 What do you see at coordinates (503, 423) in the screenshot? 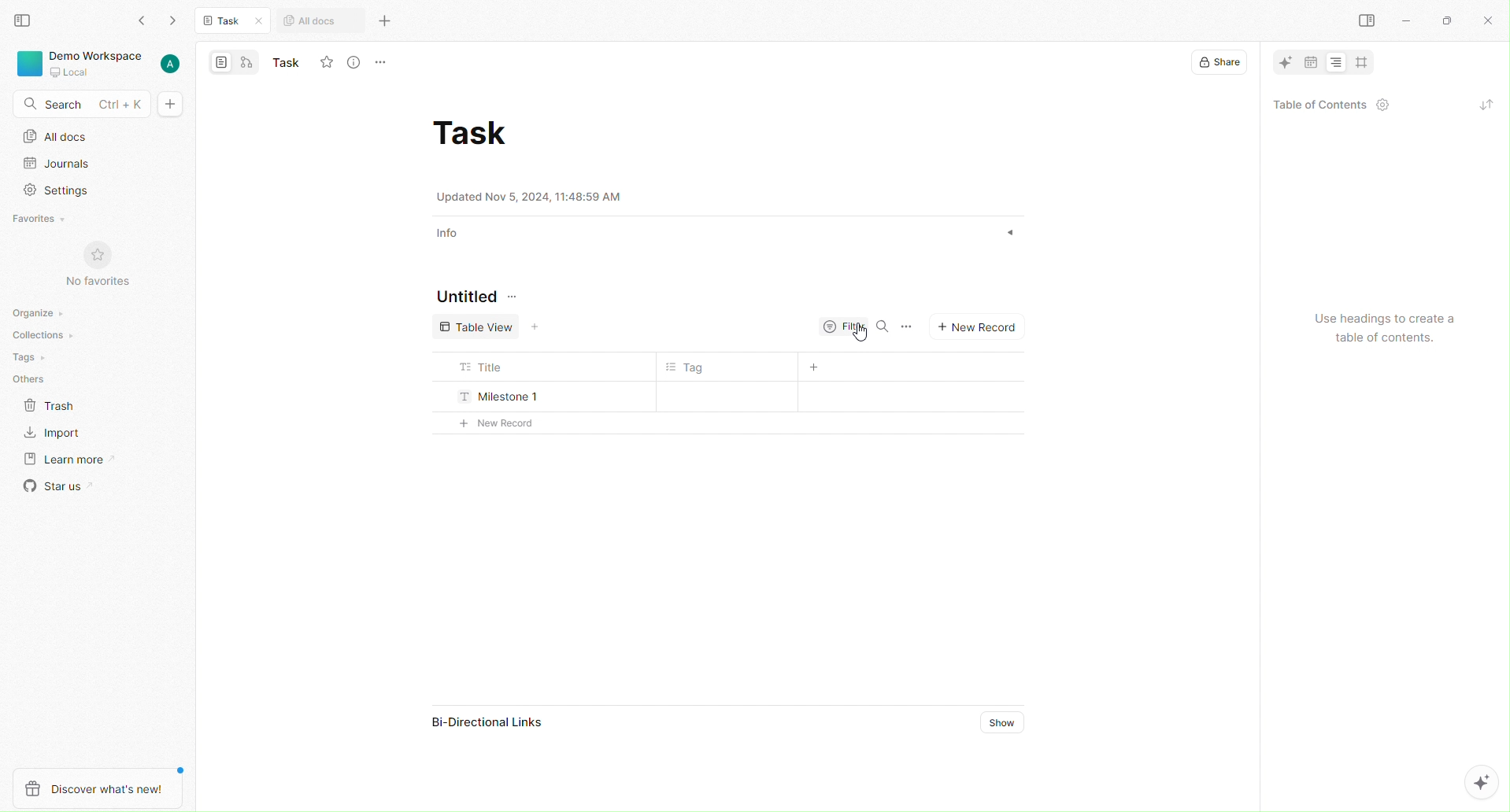
I see `+ New Record` at bounding box center [503, 423].